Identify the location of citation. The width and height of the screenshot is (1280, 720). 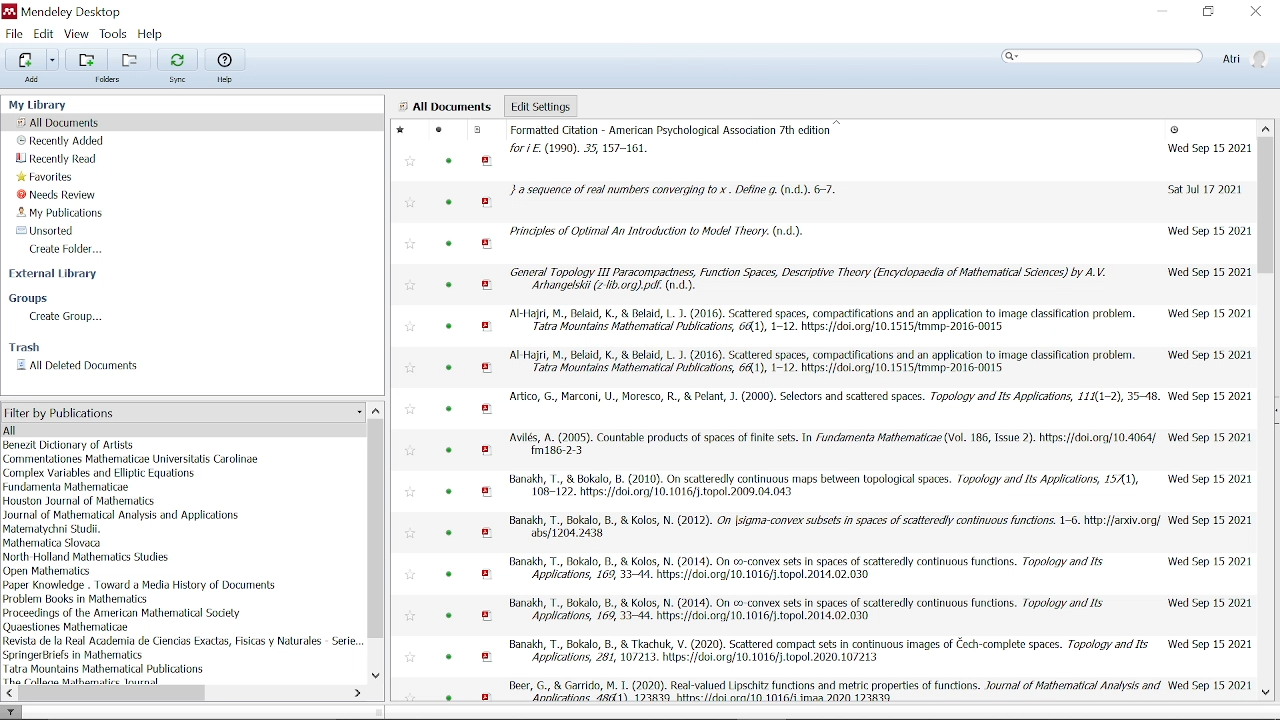
(834, 527).